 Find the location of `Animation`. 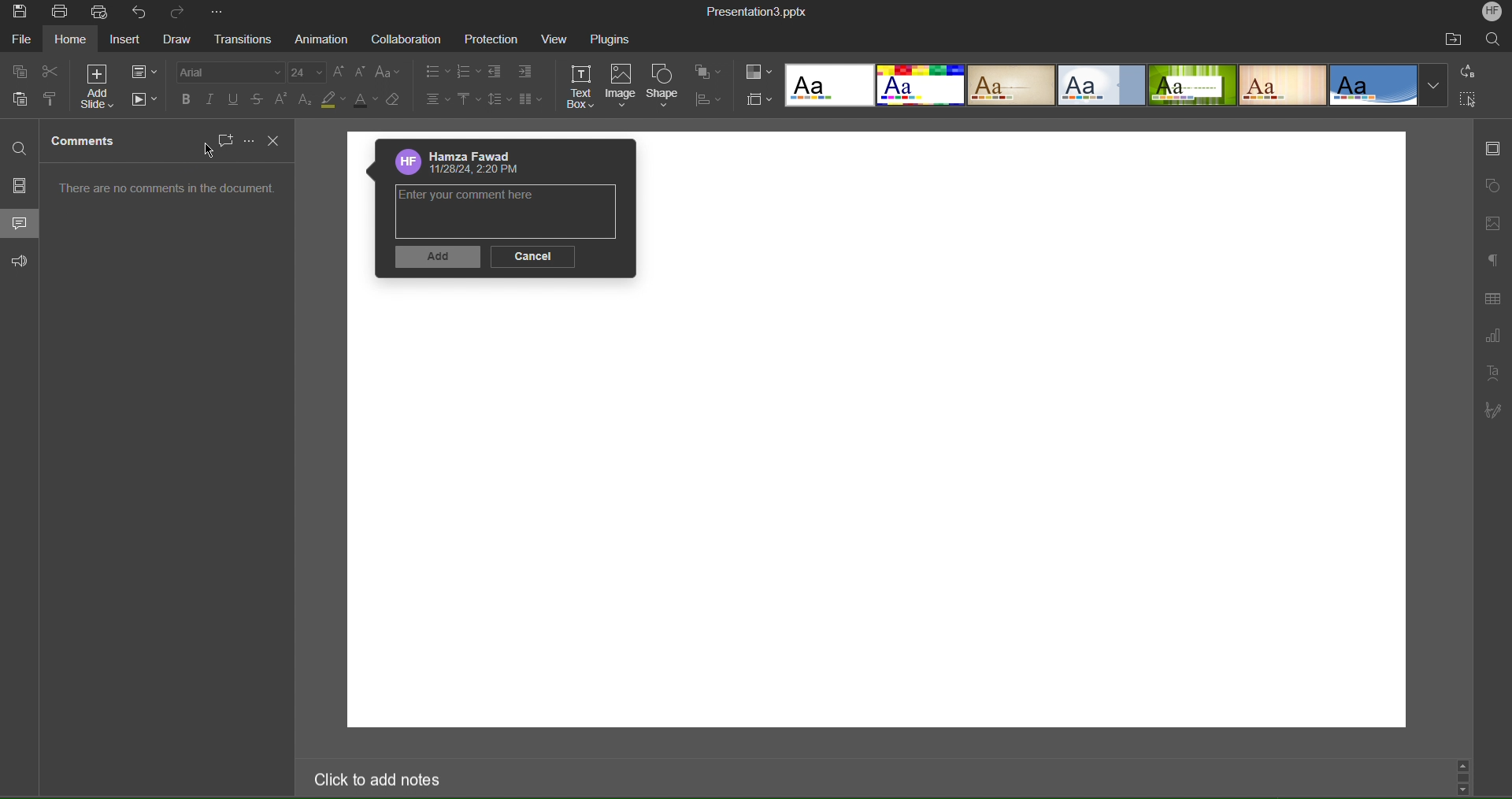

Animation is located at coordinates (324, 41).